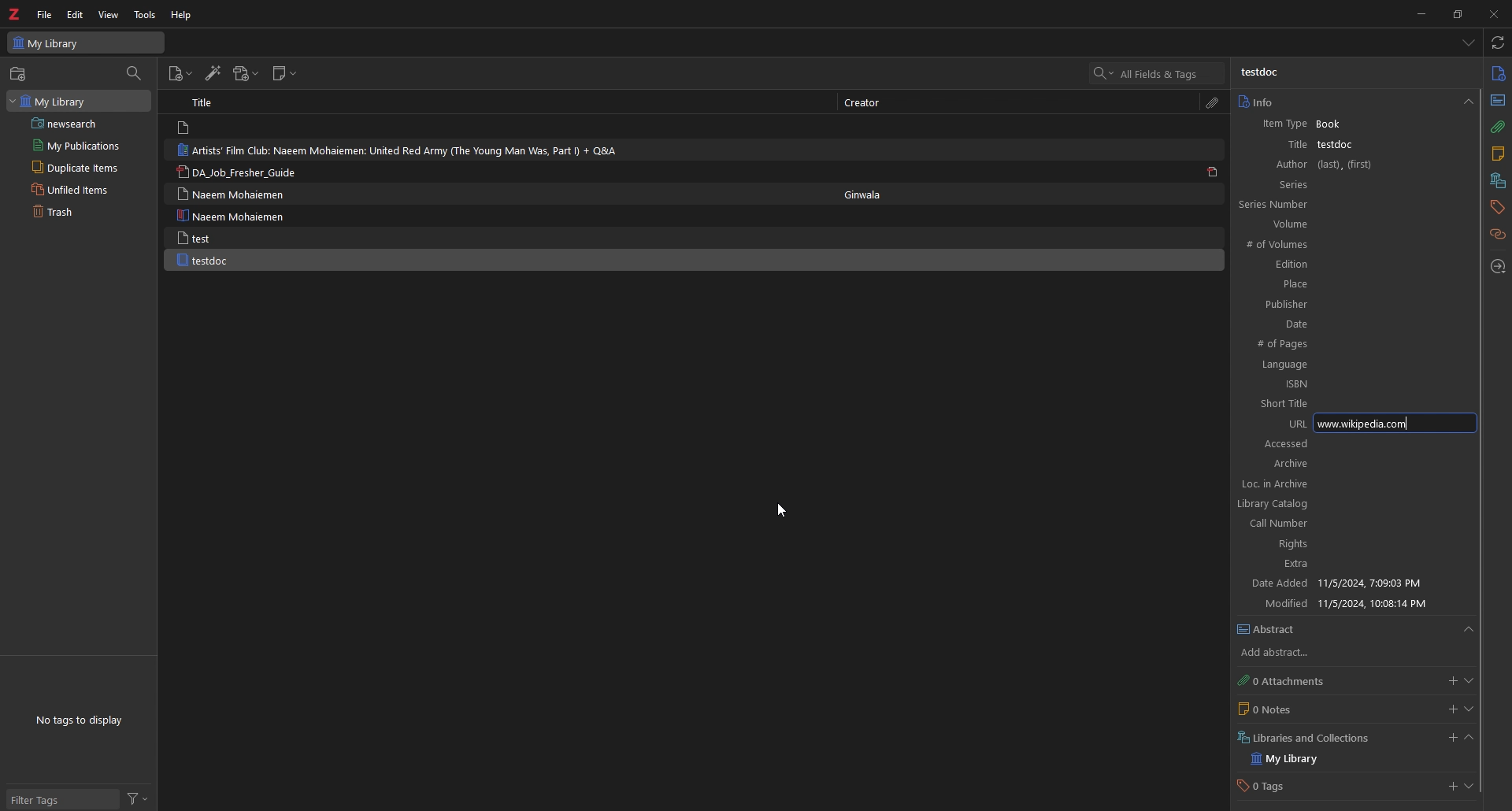  I want to click on Loc. in archive, so click(1349, 484).